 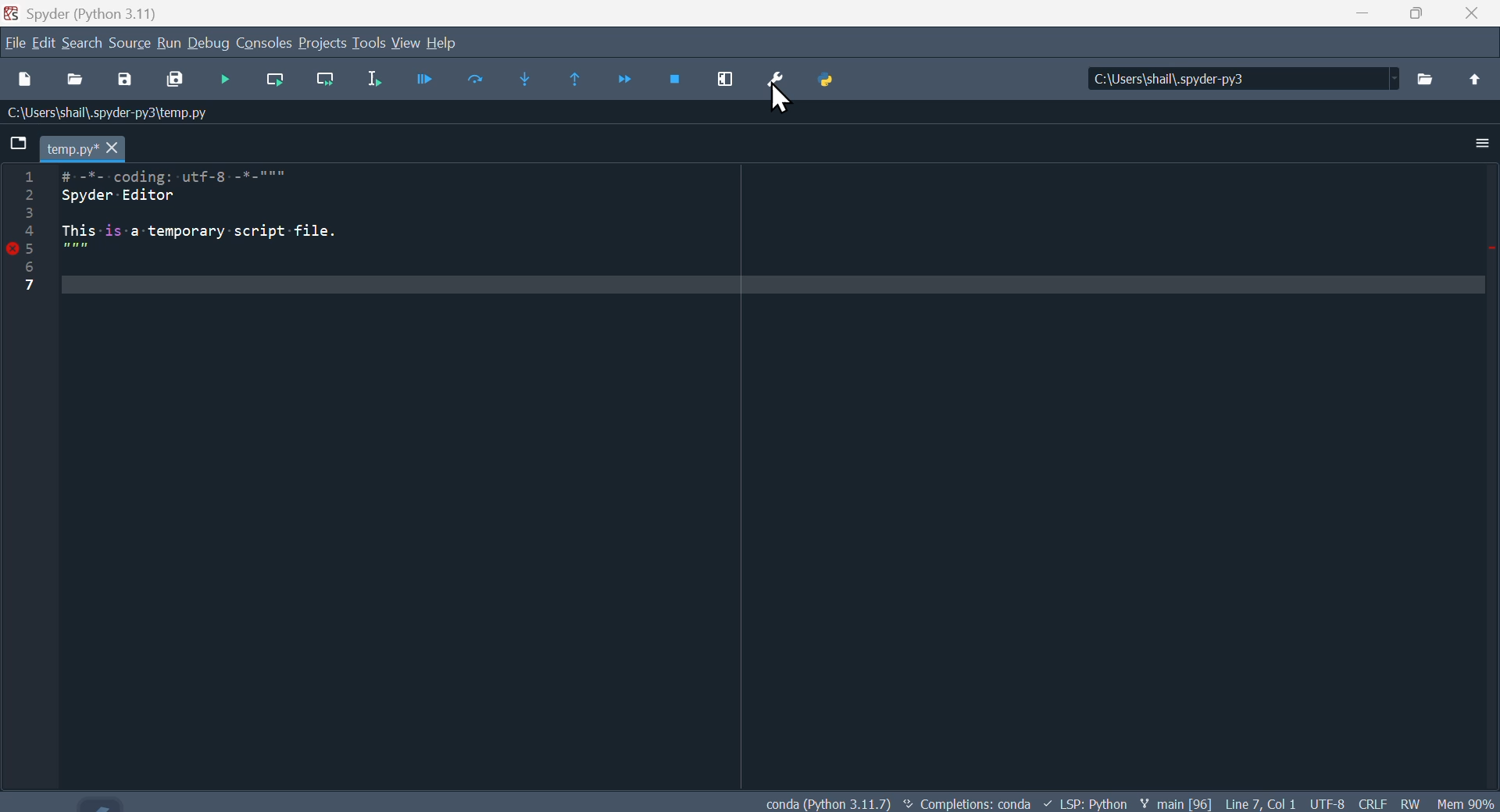 I want to click on More options, so click(x=1477, y=141).